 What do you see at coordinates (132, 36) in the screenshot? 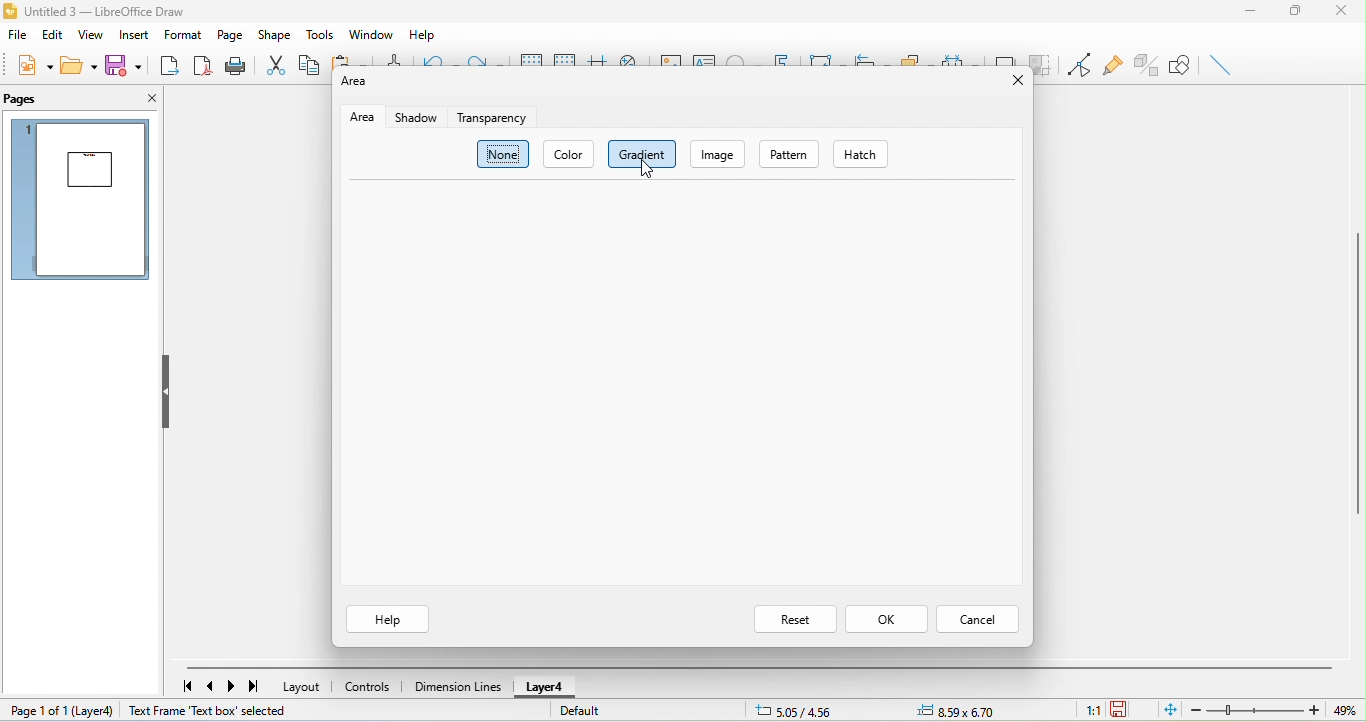
I see `insert` at bounding box center [132, 36].